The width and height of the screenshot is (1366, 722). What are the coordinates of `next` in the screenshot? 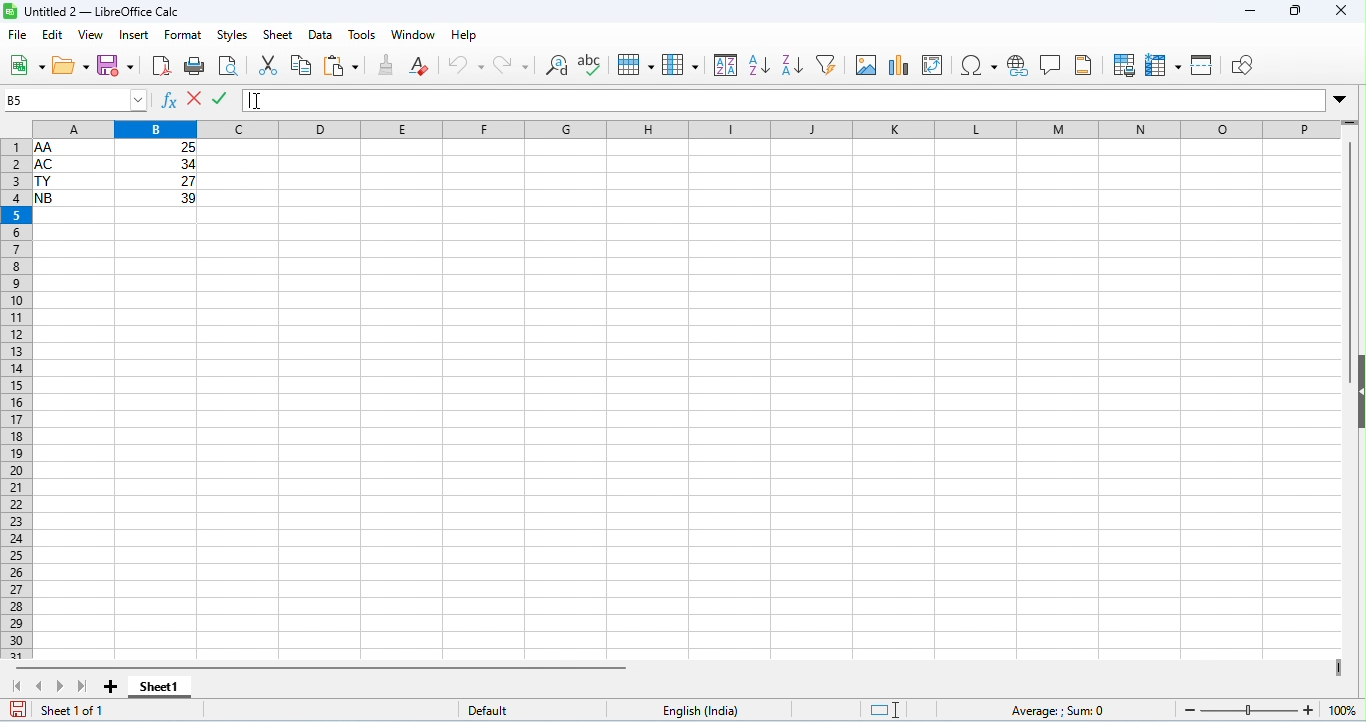 It's located at (61, 685).